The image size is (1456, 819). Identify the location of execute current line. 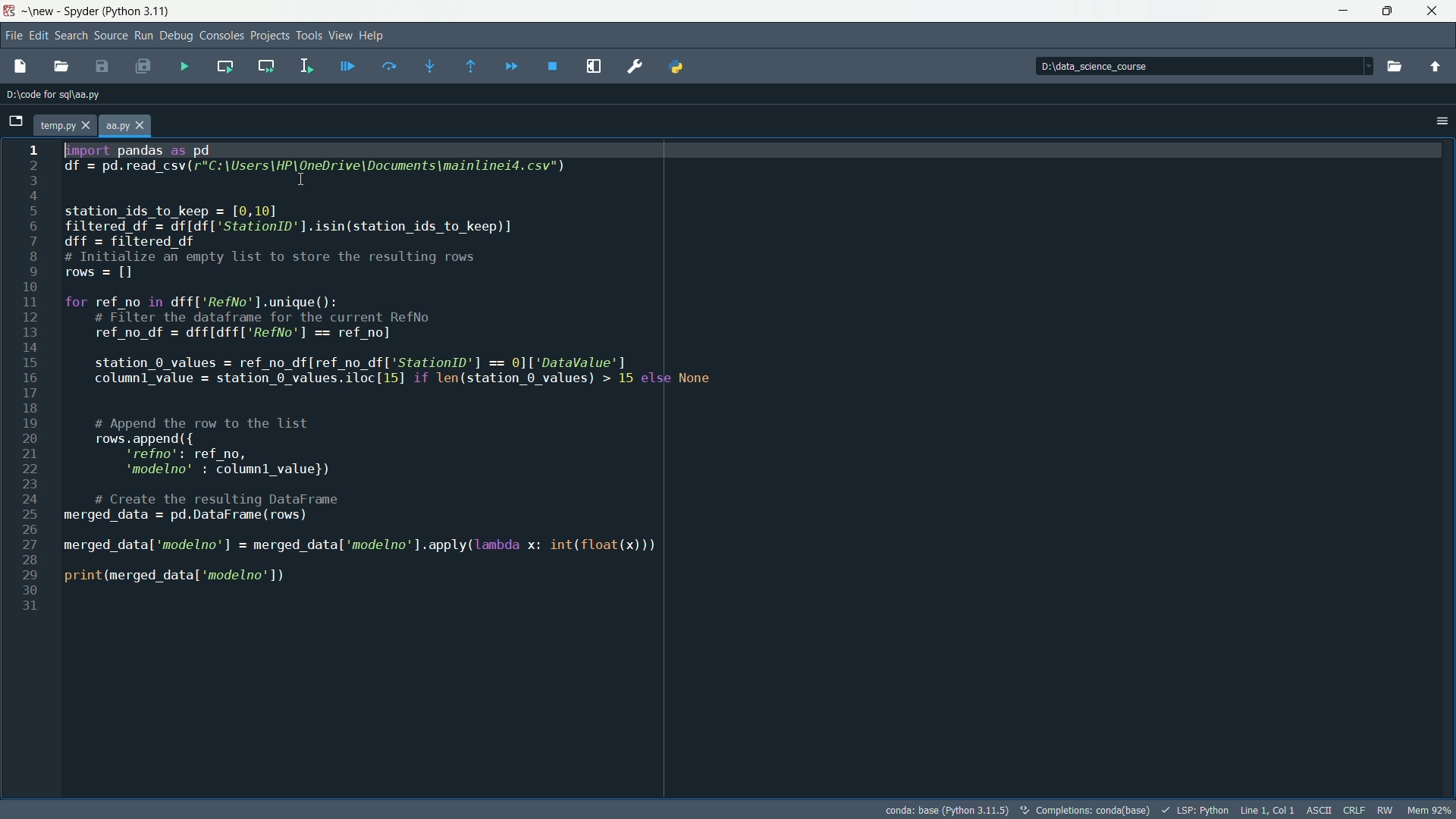
(390, 67).